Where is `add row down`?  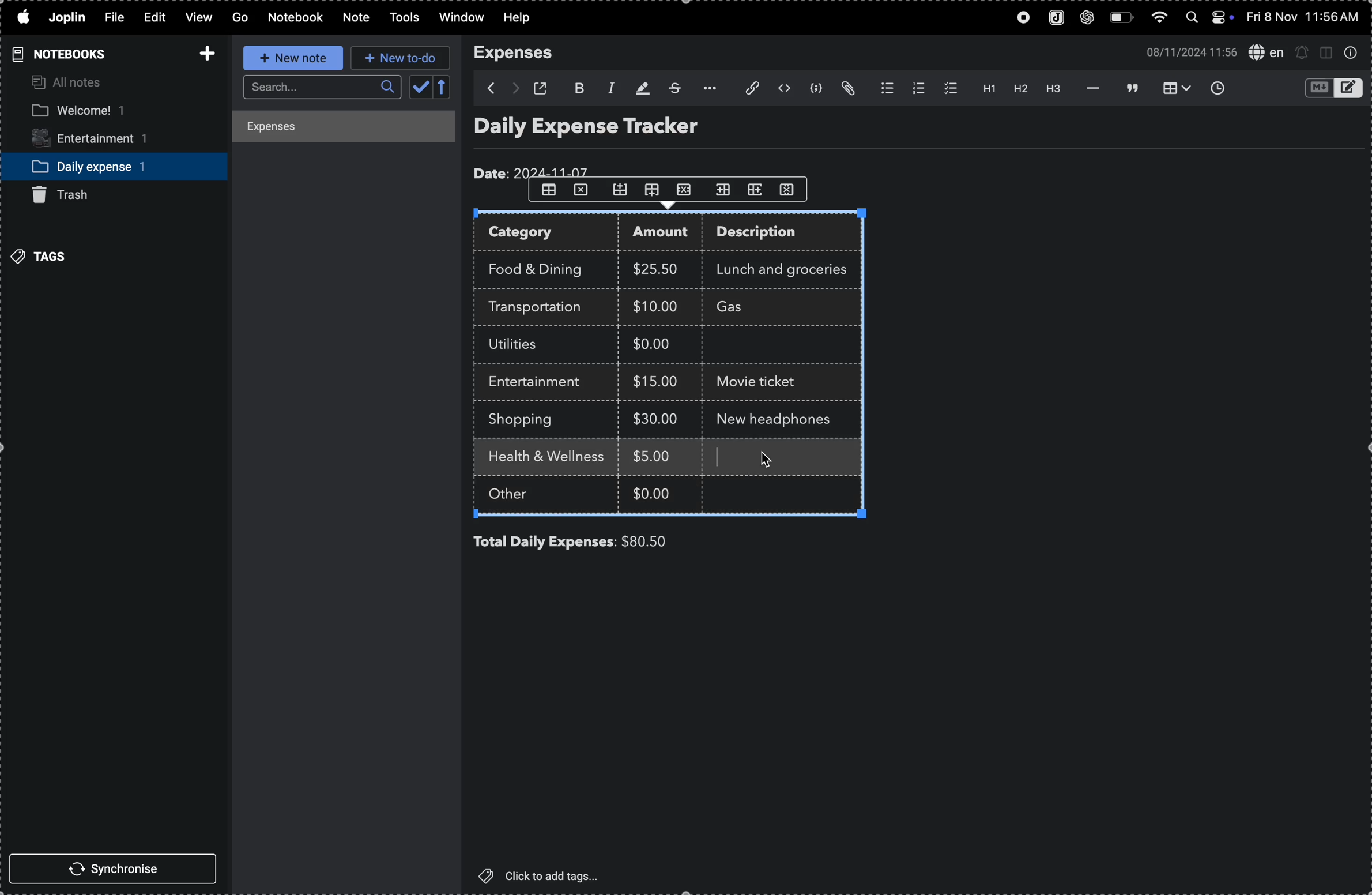 add row down is located at coordinates (655, 190).